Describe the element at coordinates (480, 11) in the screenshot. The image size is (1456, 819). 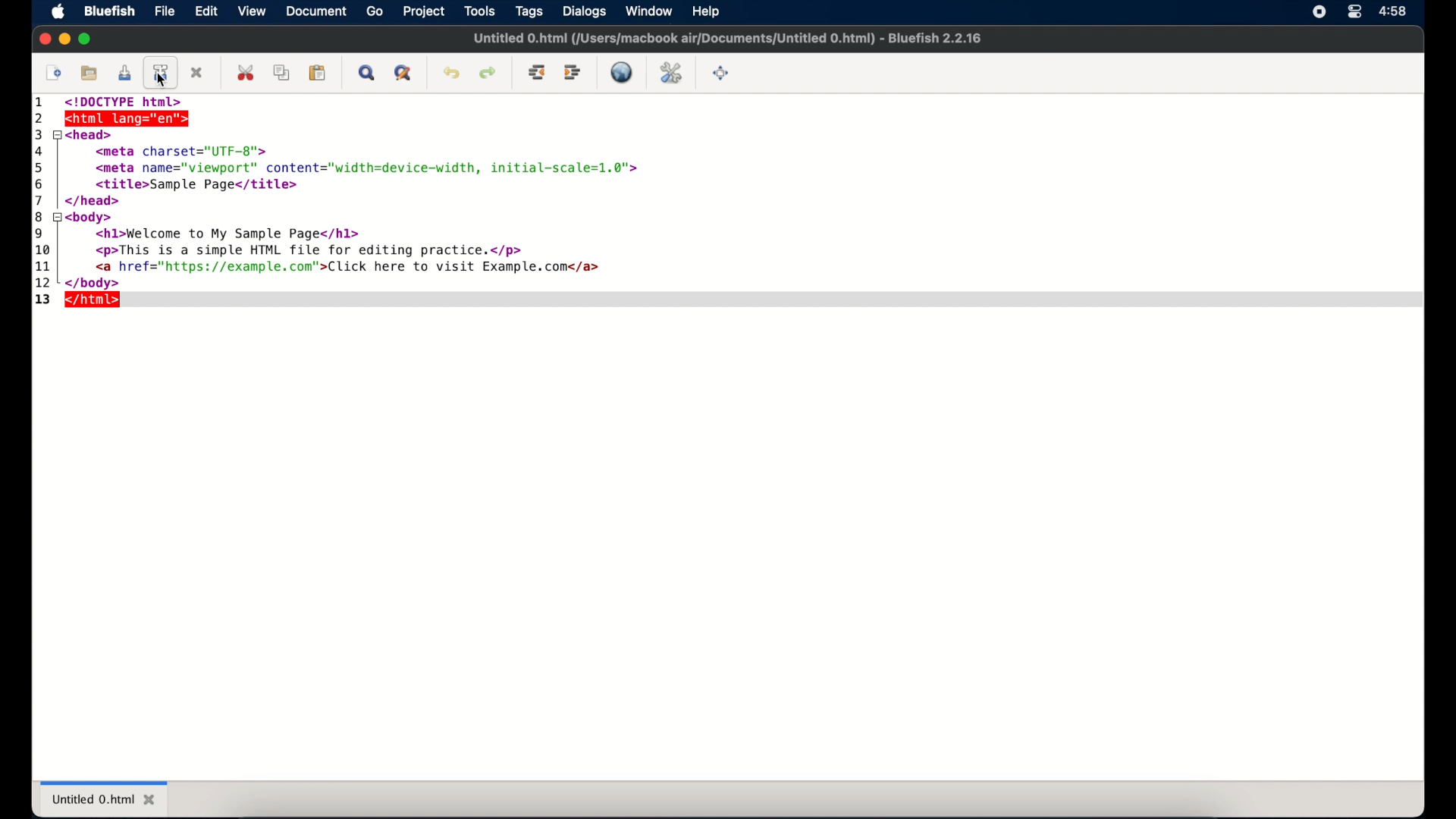
I see `tools` at that location.